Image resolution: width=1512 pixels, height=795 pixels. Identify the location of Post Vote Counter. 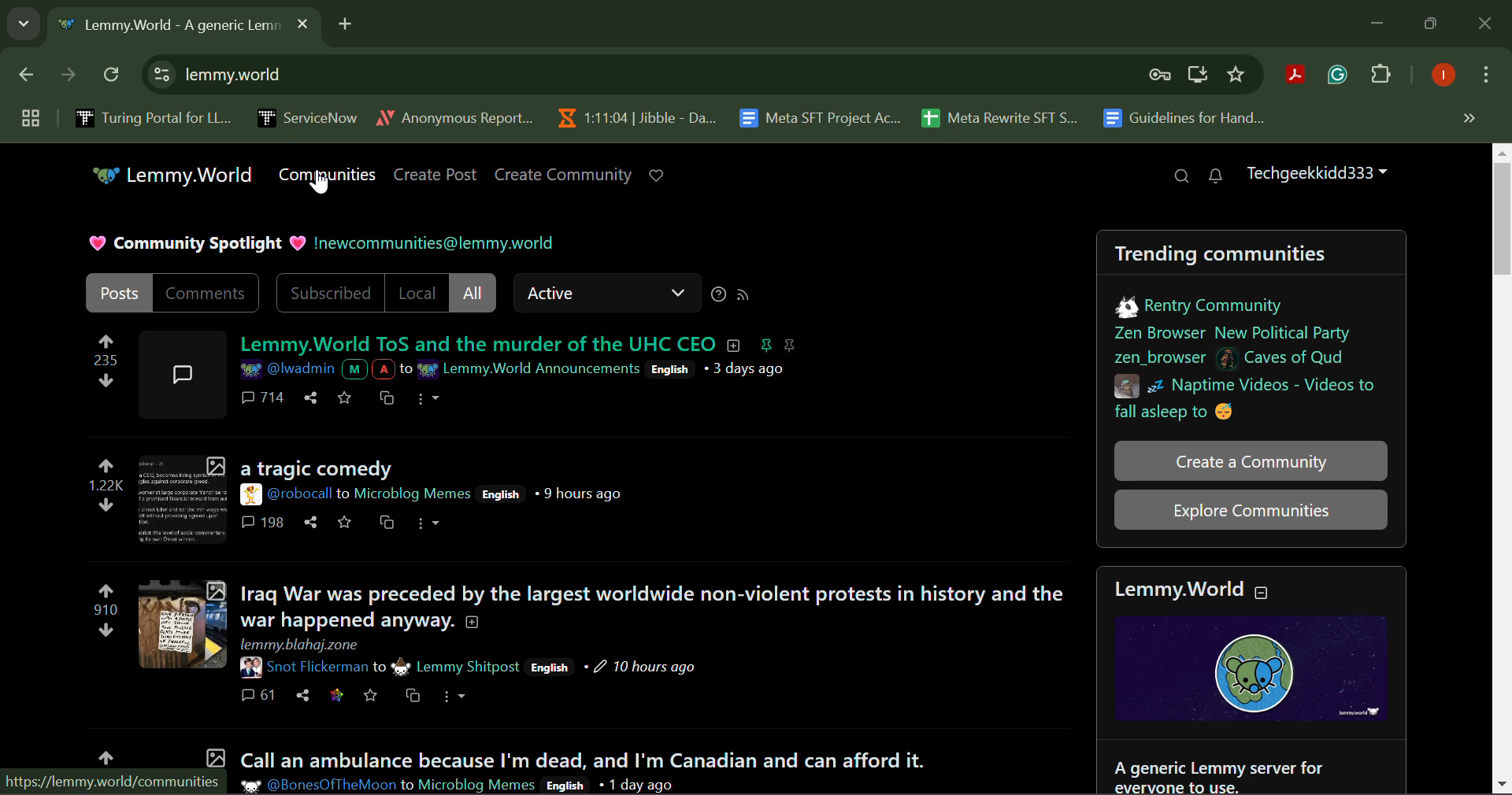
(105, 610).